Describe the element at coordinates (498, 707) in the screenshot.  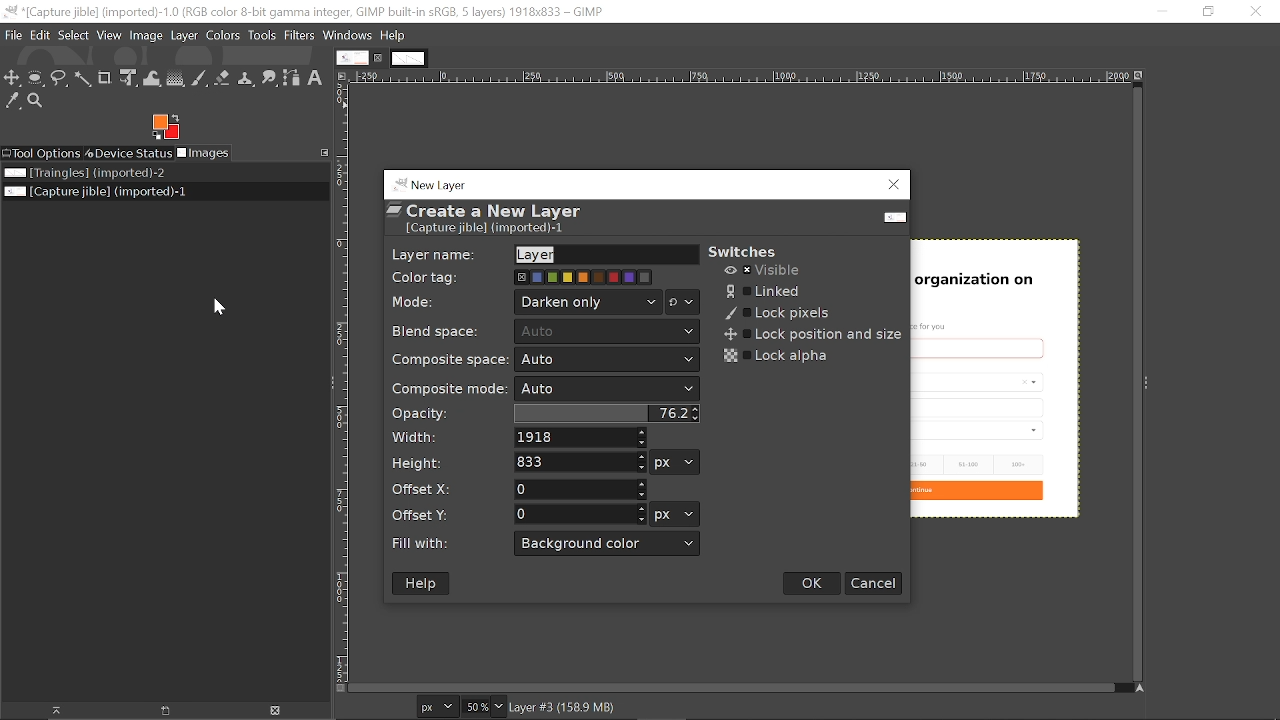
I see `Zoom options` at that location.